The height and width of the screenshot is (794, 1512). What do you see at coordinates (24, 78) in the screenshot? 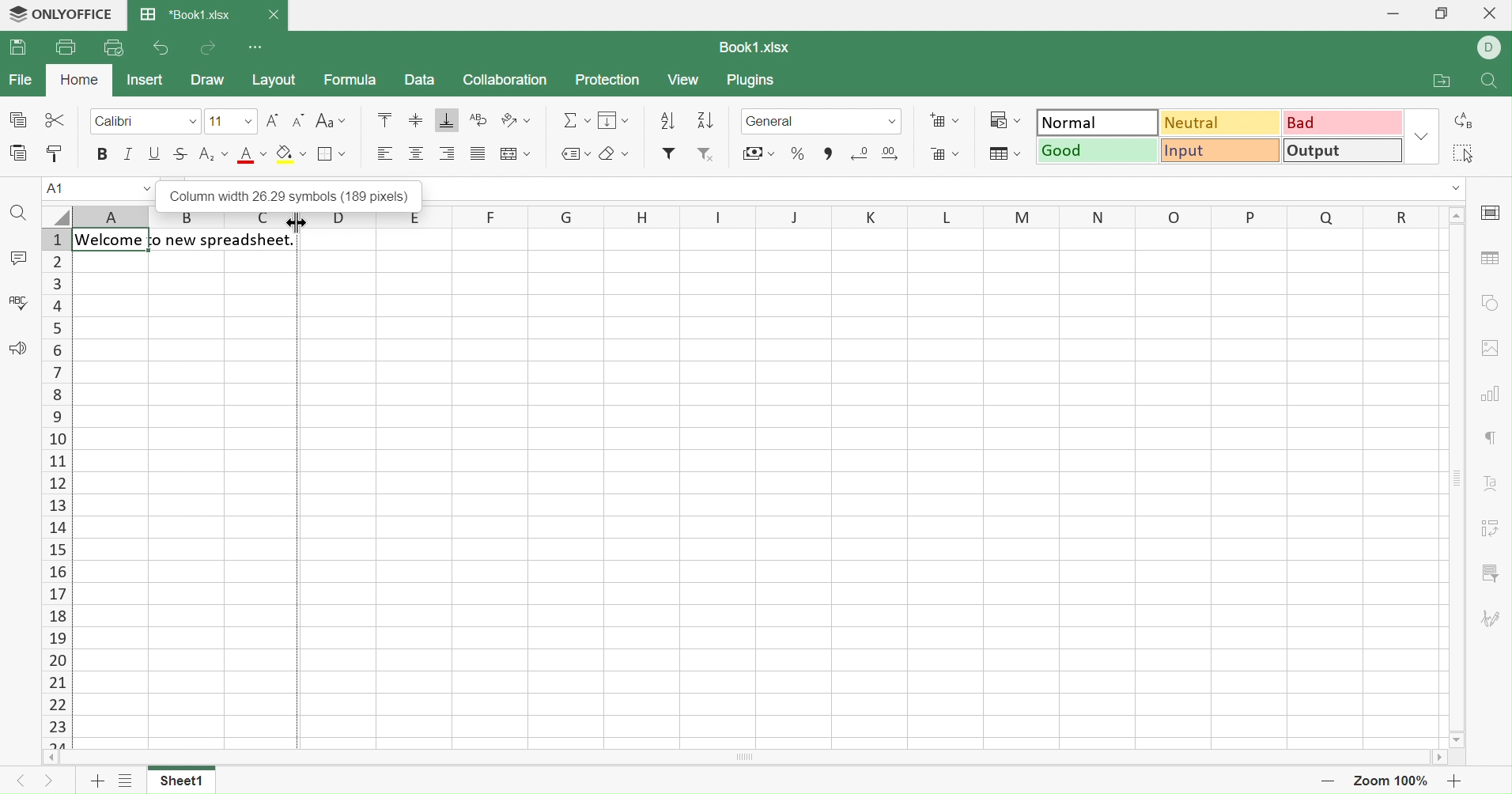
I see `File` at bounding box center [24, 78].